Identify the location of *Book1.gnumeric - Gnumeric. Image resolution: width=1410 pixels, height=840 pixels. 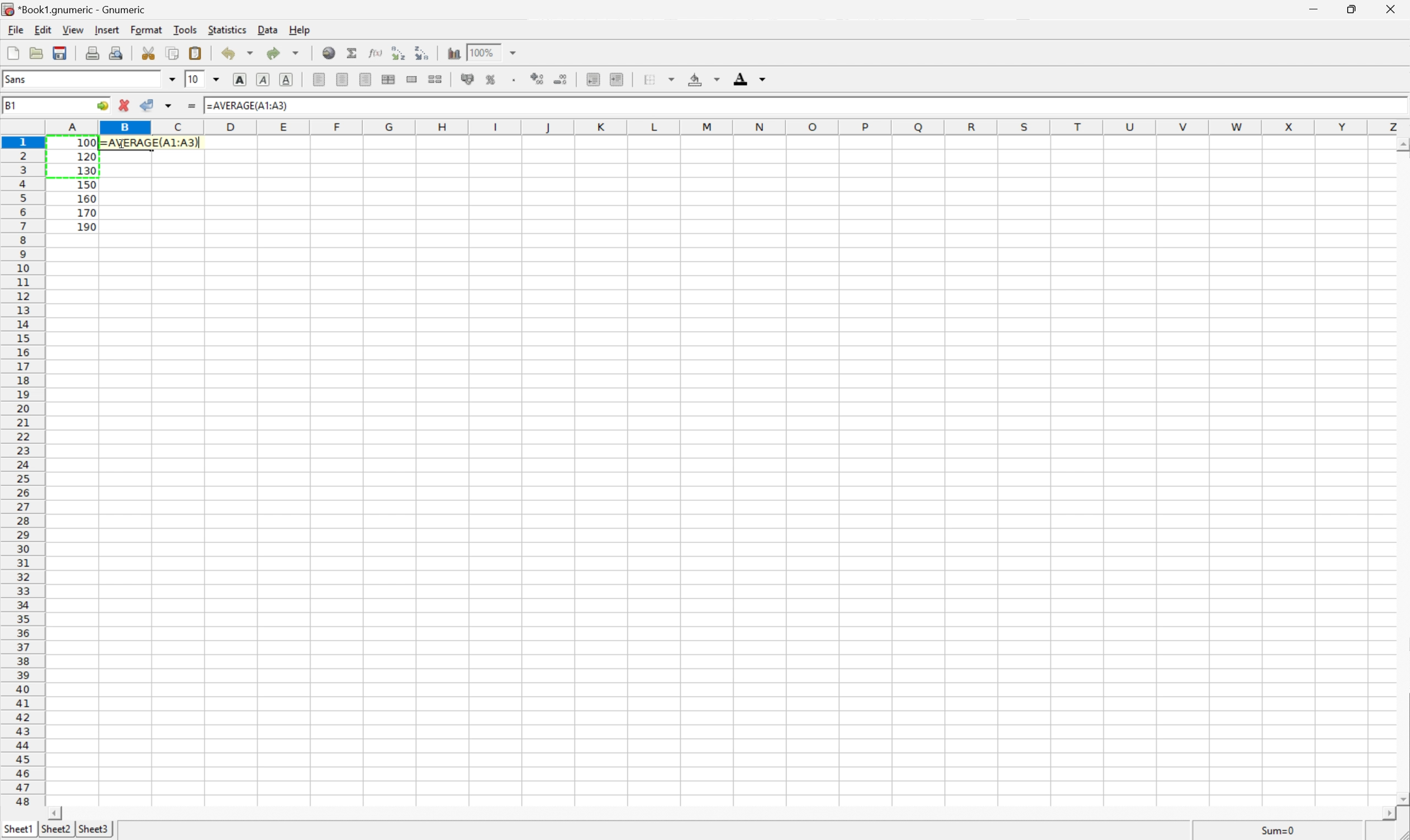
(78, 8).